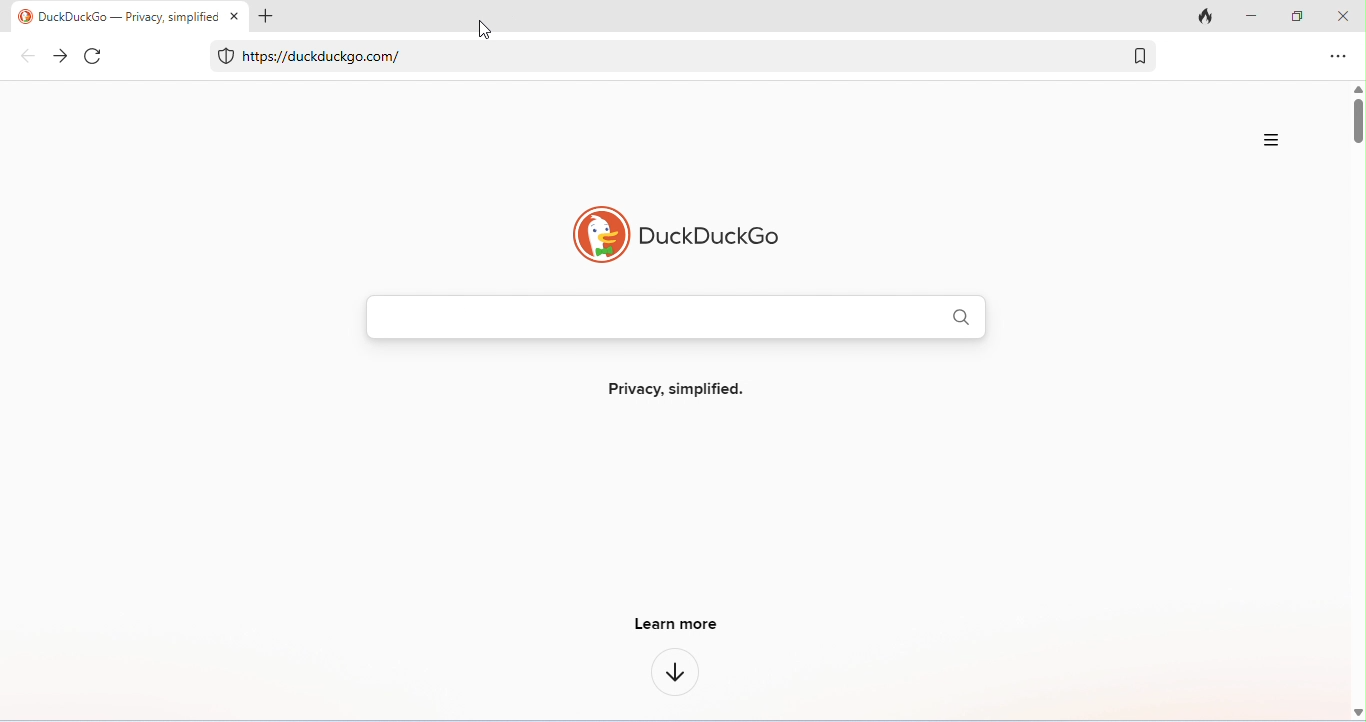 The height and width of the screenshot is (722, 1366). What do you see at coordinates (1357, 120) in the screenshot?
I see `vertical scroll bar` at bounding box center [1357, 120].